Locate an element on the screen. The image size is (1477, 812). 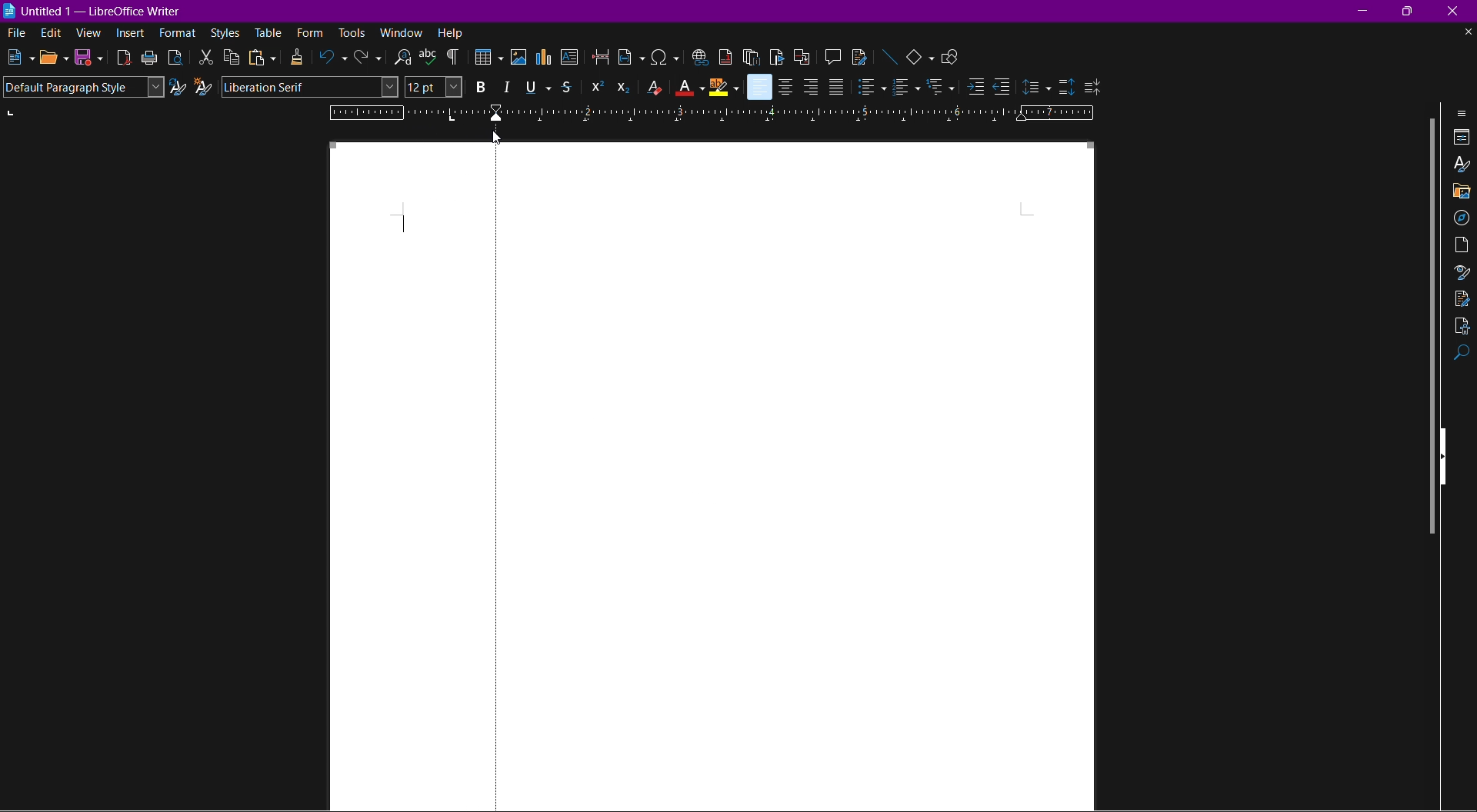
Insert Bookmark is located at coordinates (776, 56).